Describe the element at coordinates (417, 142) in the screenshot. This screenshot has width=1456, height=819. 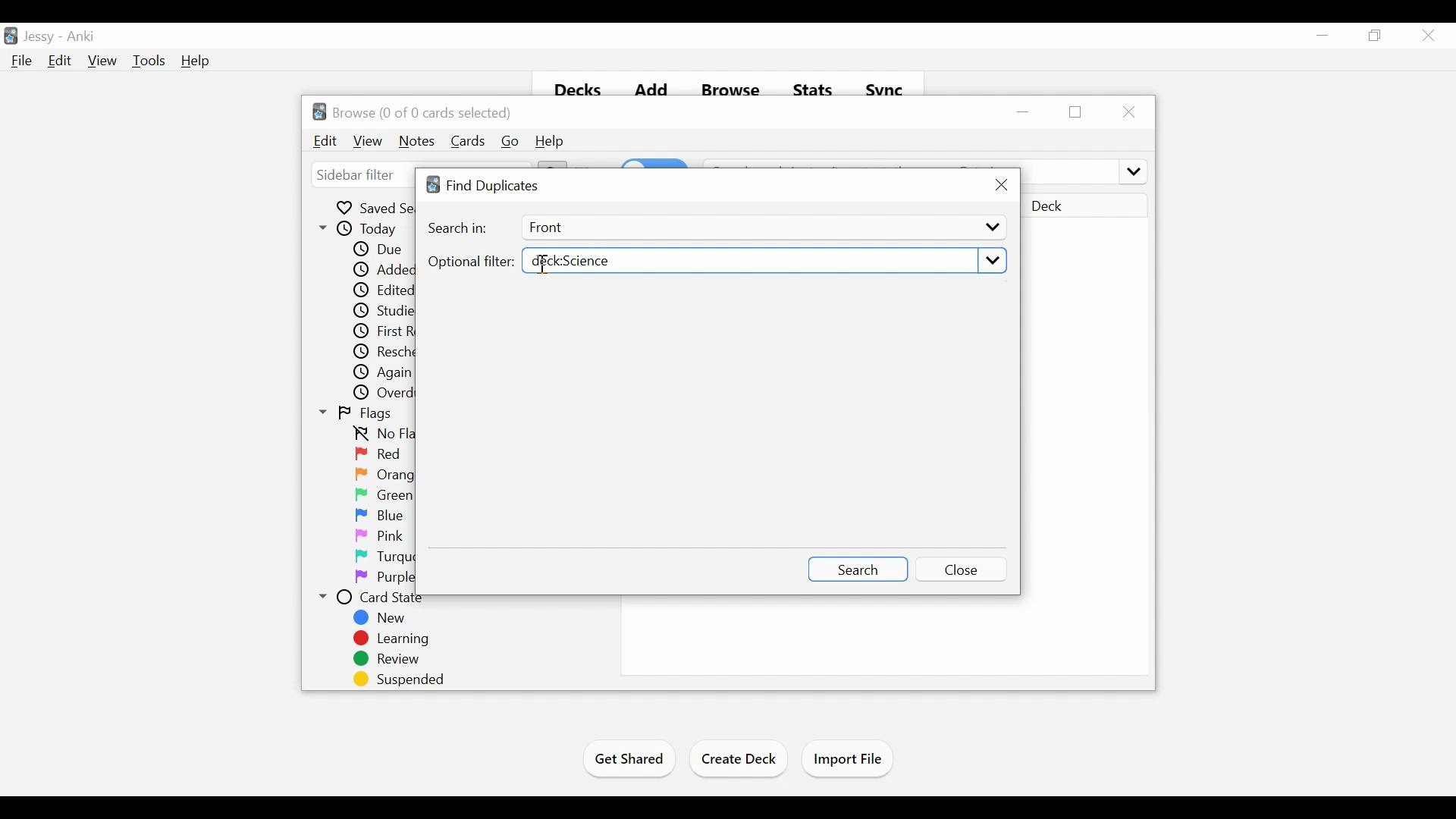
I see `Notes` at that location.